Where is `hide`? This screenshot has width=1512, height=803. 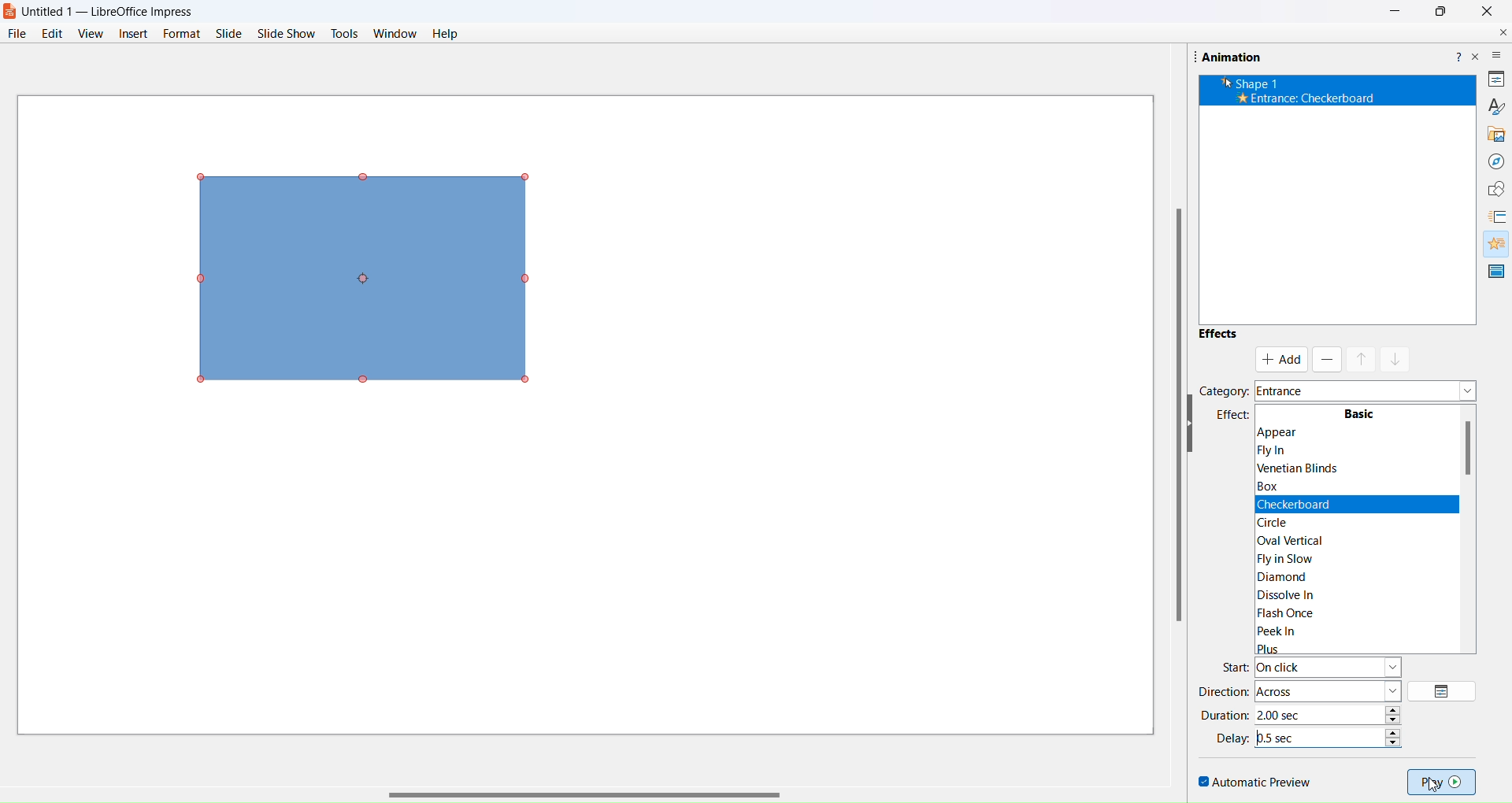
hide is located at coordinates (1194, 426).